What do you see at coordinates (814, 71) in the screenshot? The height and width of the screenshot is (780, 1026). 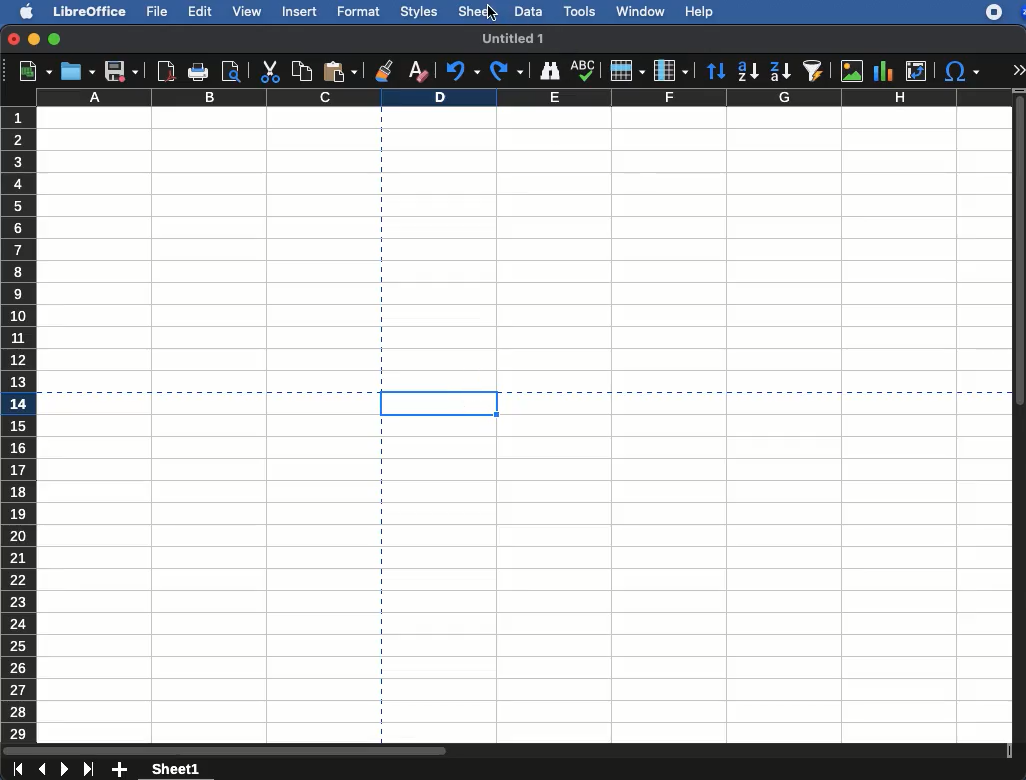 I see `autofilter` at bounding box center [814, 71].